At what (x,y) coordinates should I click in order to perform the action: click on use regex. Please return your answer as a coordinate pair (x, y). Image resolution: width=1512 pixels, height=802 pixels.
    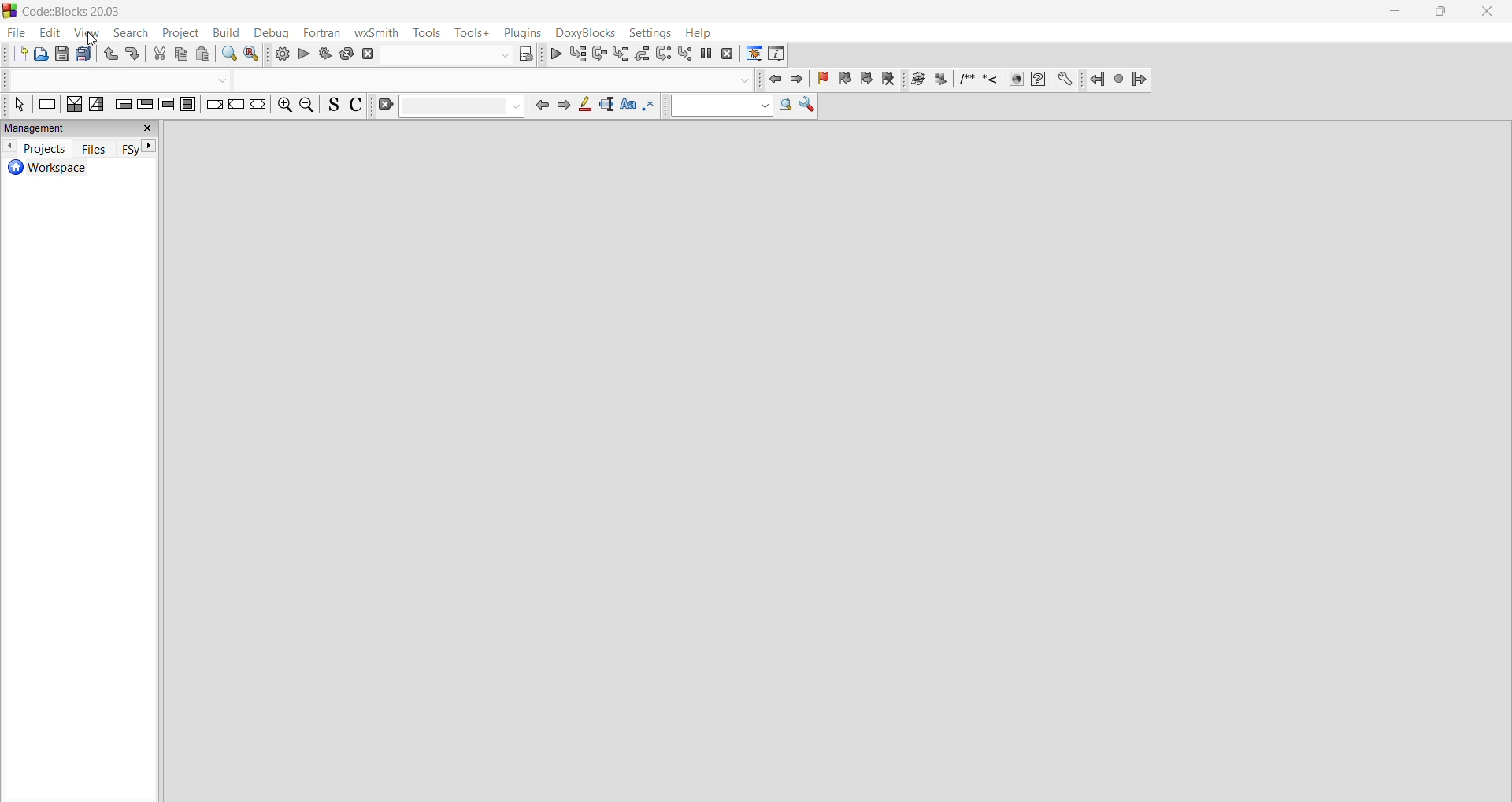
    Looking at the image, I should click on (650, 106).